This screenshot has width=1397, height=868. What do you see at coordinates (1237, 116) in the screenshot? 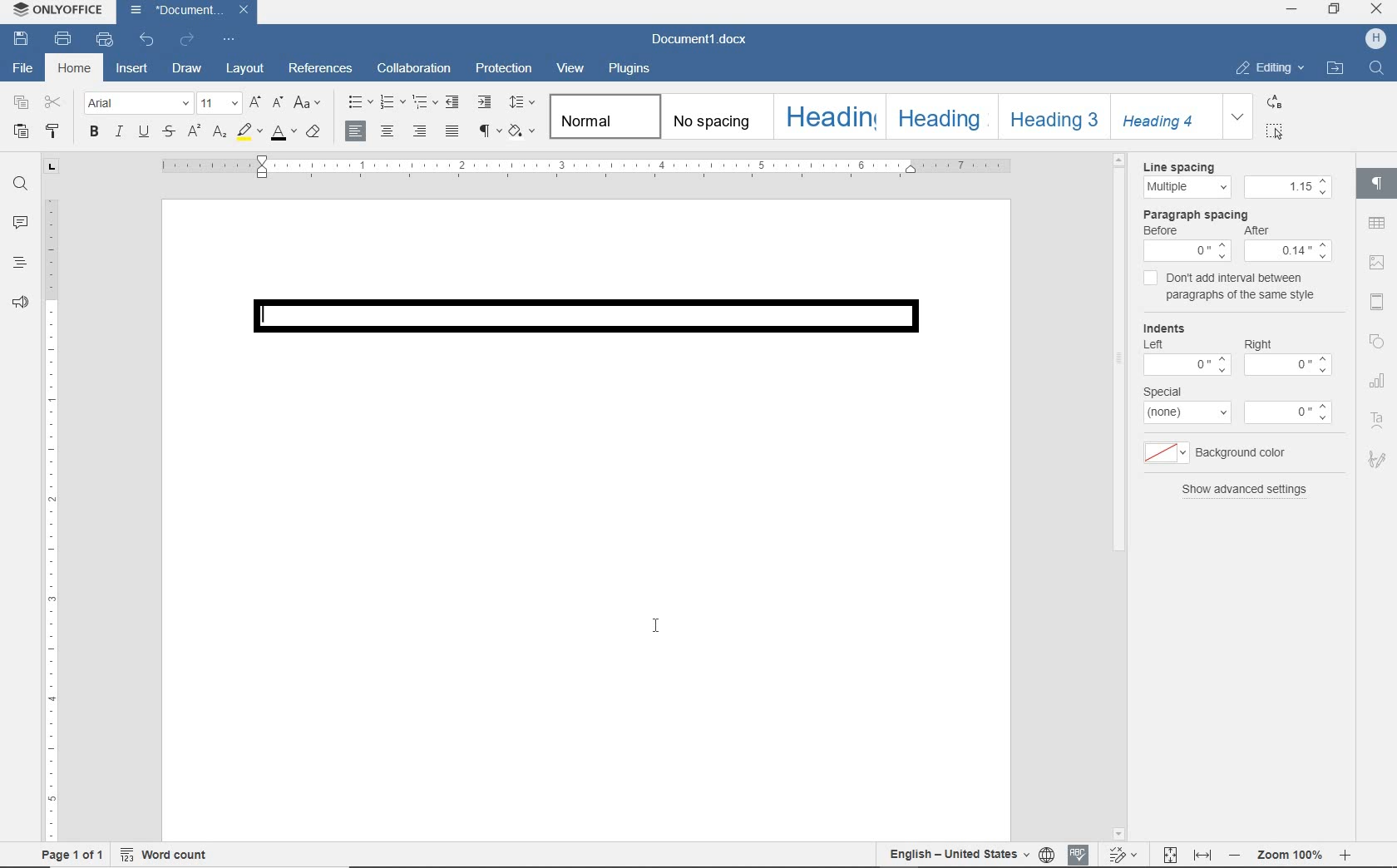
I see `expand` at bounding box center [1237, 116].